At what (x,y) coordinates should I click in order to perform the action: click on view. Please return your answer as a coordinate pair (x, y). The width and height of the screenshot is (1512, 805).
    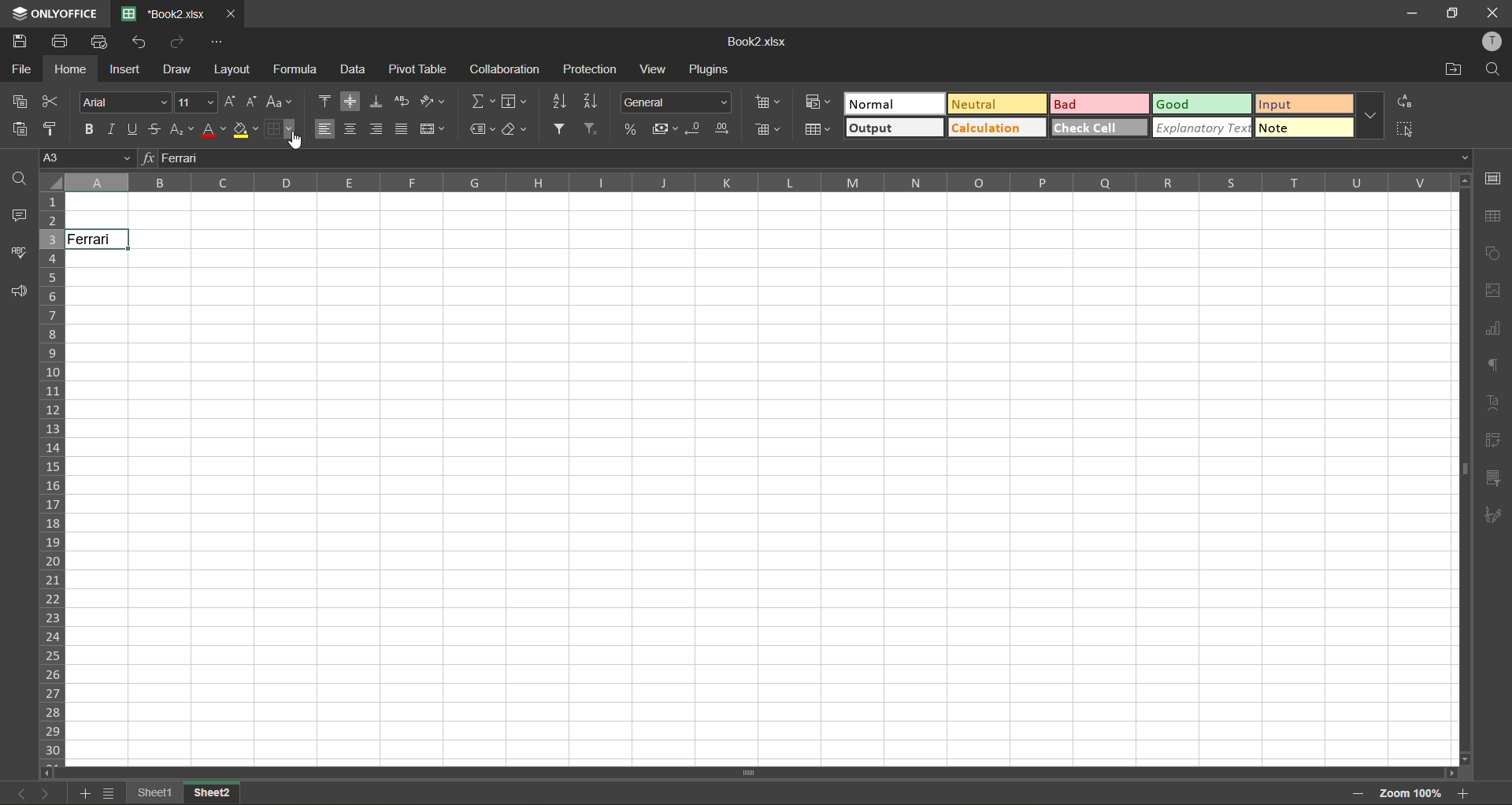
    Looking at the image, I should click on (657, 69).